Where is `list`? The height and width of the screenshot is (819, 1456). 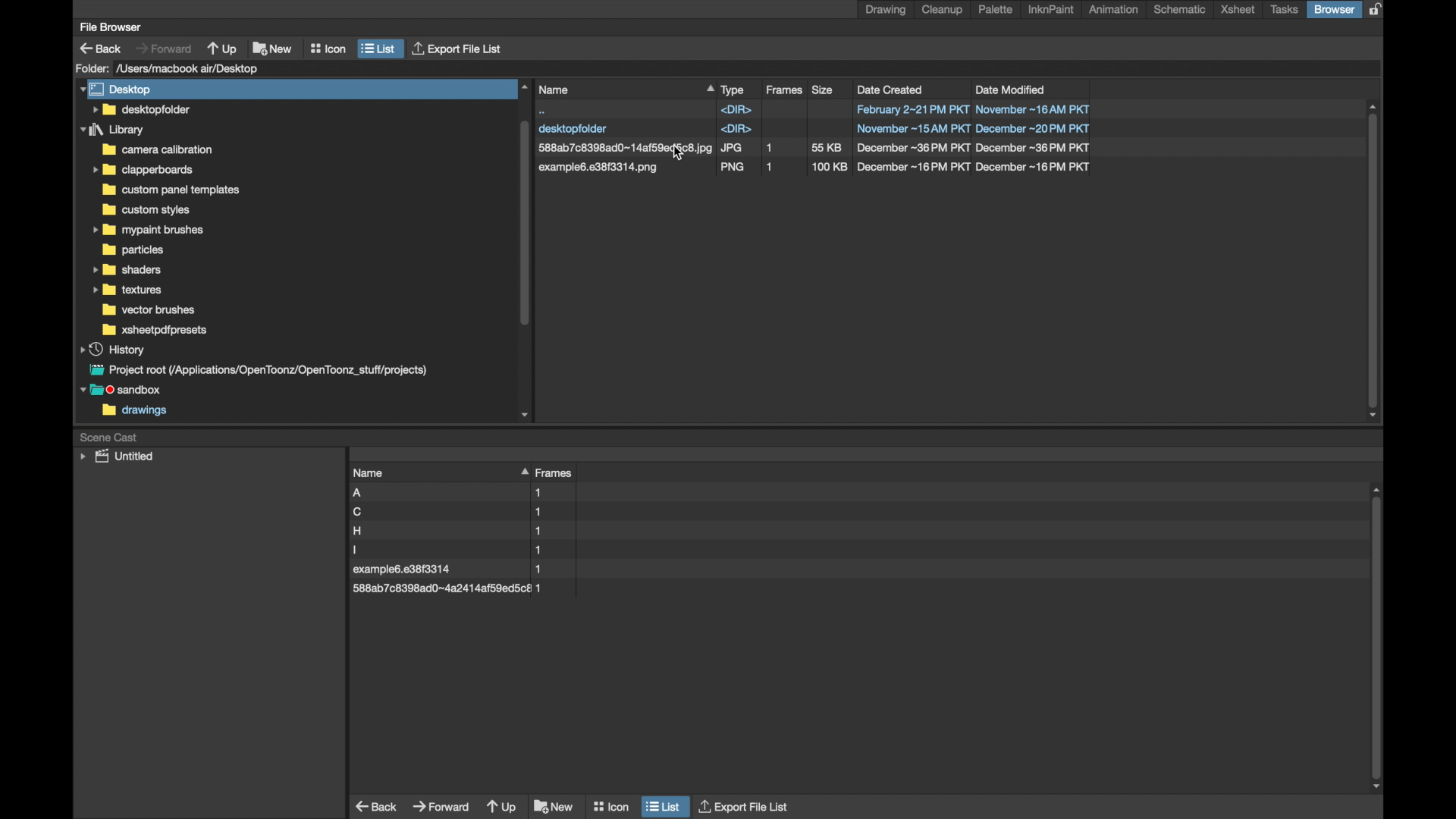 list is located at coordinates (664, 805).